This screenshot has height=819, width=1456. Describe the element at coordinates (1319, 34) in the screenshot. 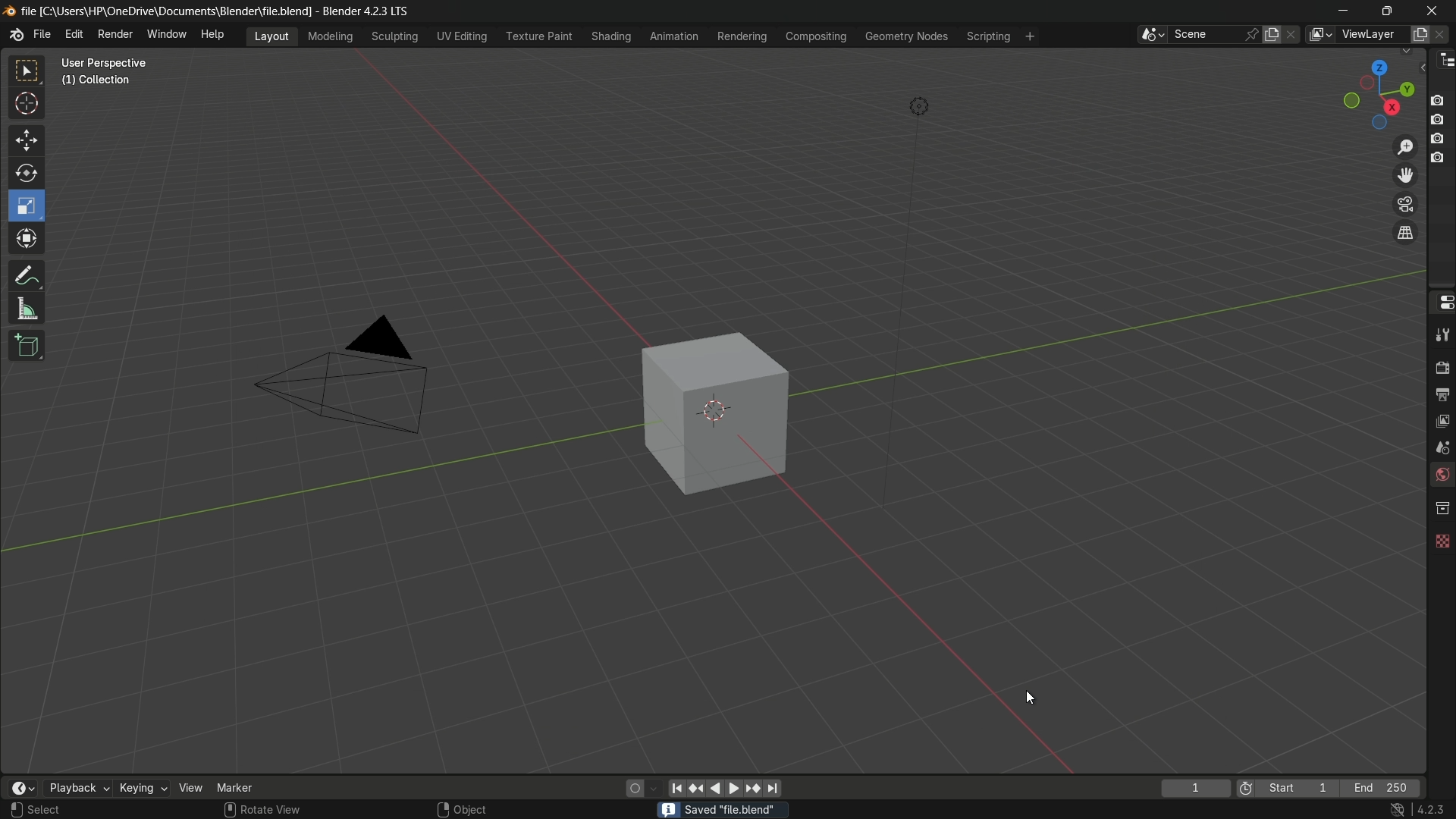

I see `view layer` at that location.